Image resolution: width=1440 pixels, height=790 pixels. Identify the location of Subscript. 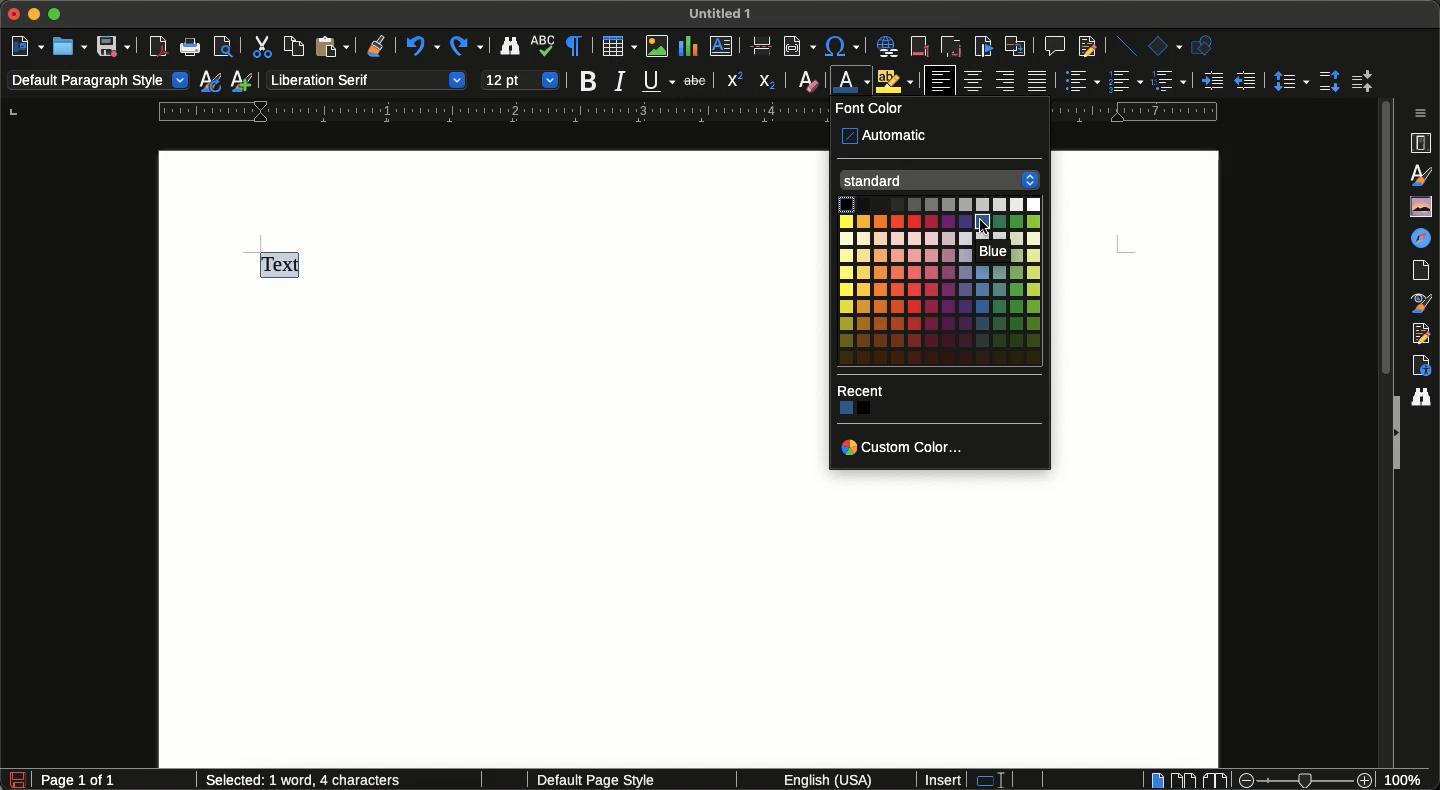
(768, 82).